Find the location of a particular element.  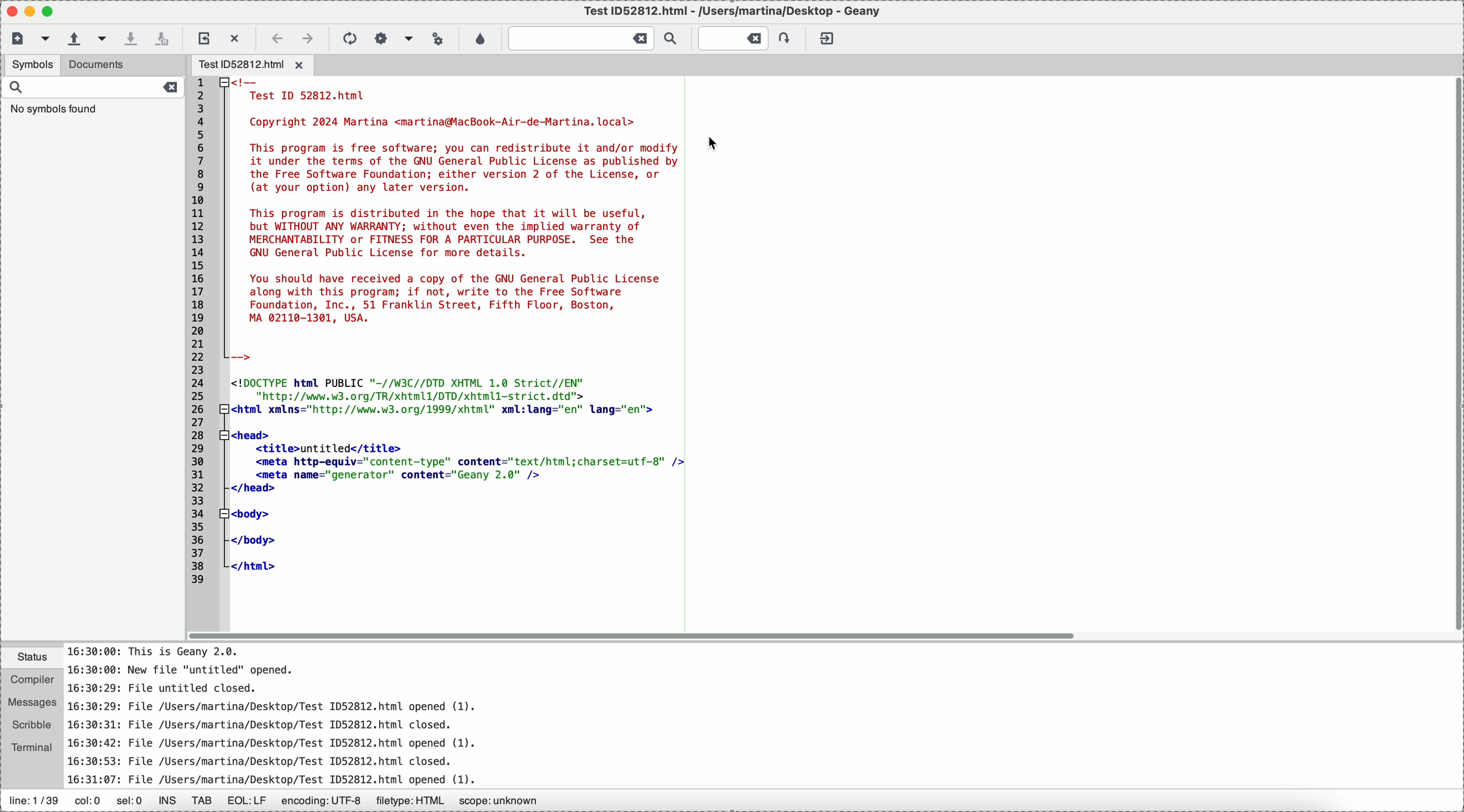

line:1/39 col:0 sel:0 INS TAB EOL:LF encoding:UTF-8 filetype: HTML scope: unknown is located at coordinates (289, 802).